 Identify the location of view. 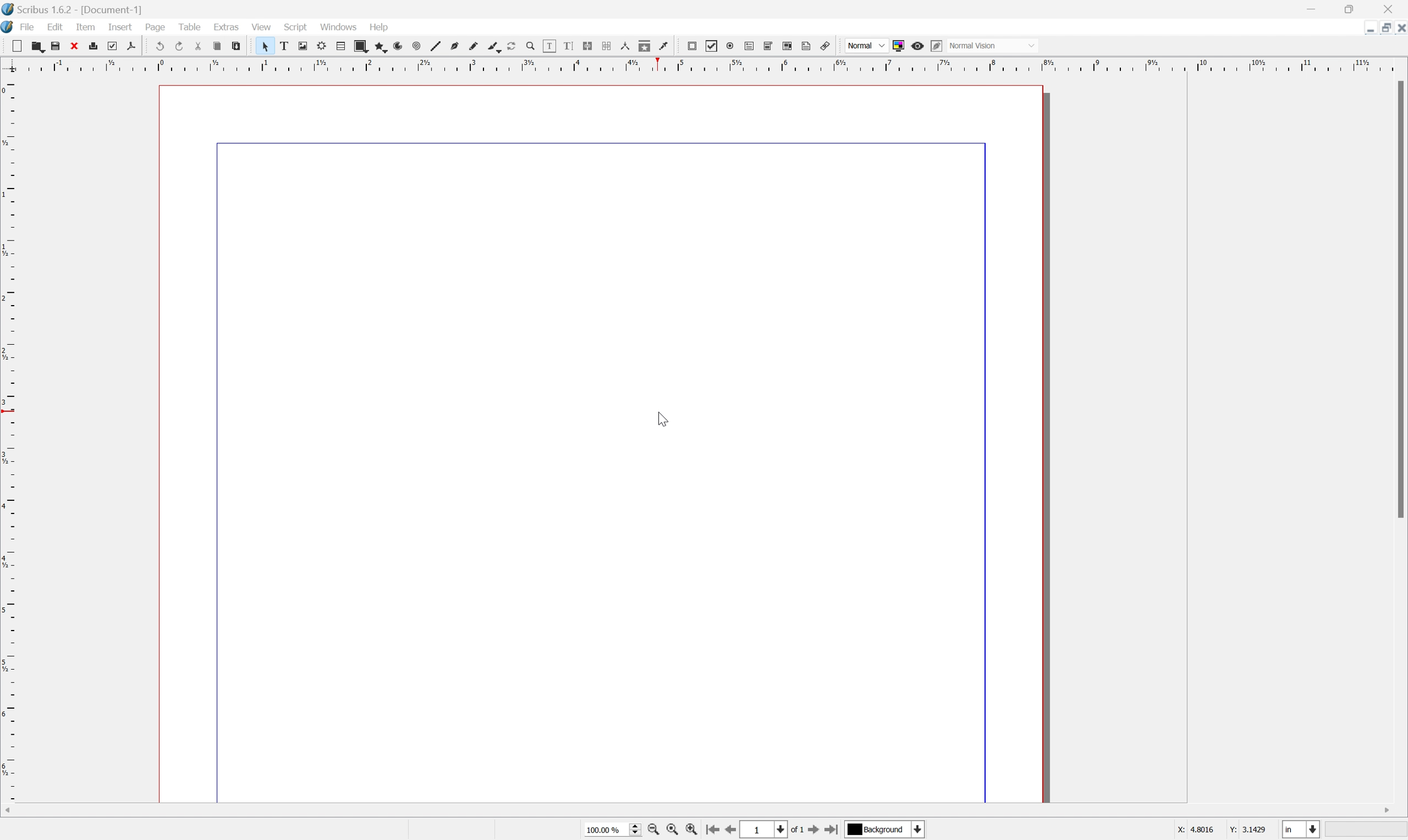
(264, 28).